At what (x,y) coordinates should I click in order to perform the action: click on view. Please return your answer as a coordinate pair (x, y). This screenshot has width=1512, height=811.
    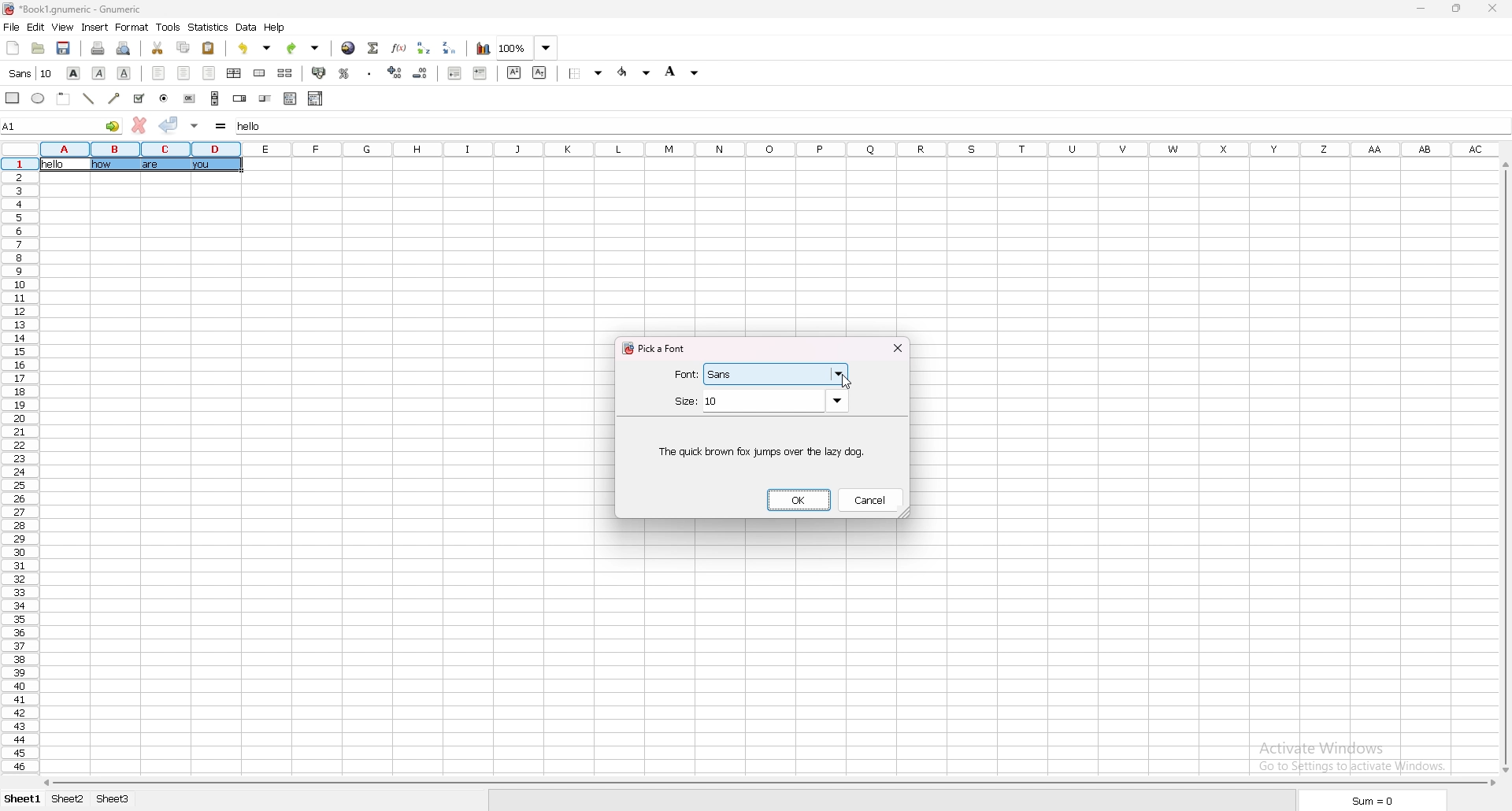
    Looking at the image, I should click on (63, 28).